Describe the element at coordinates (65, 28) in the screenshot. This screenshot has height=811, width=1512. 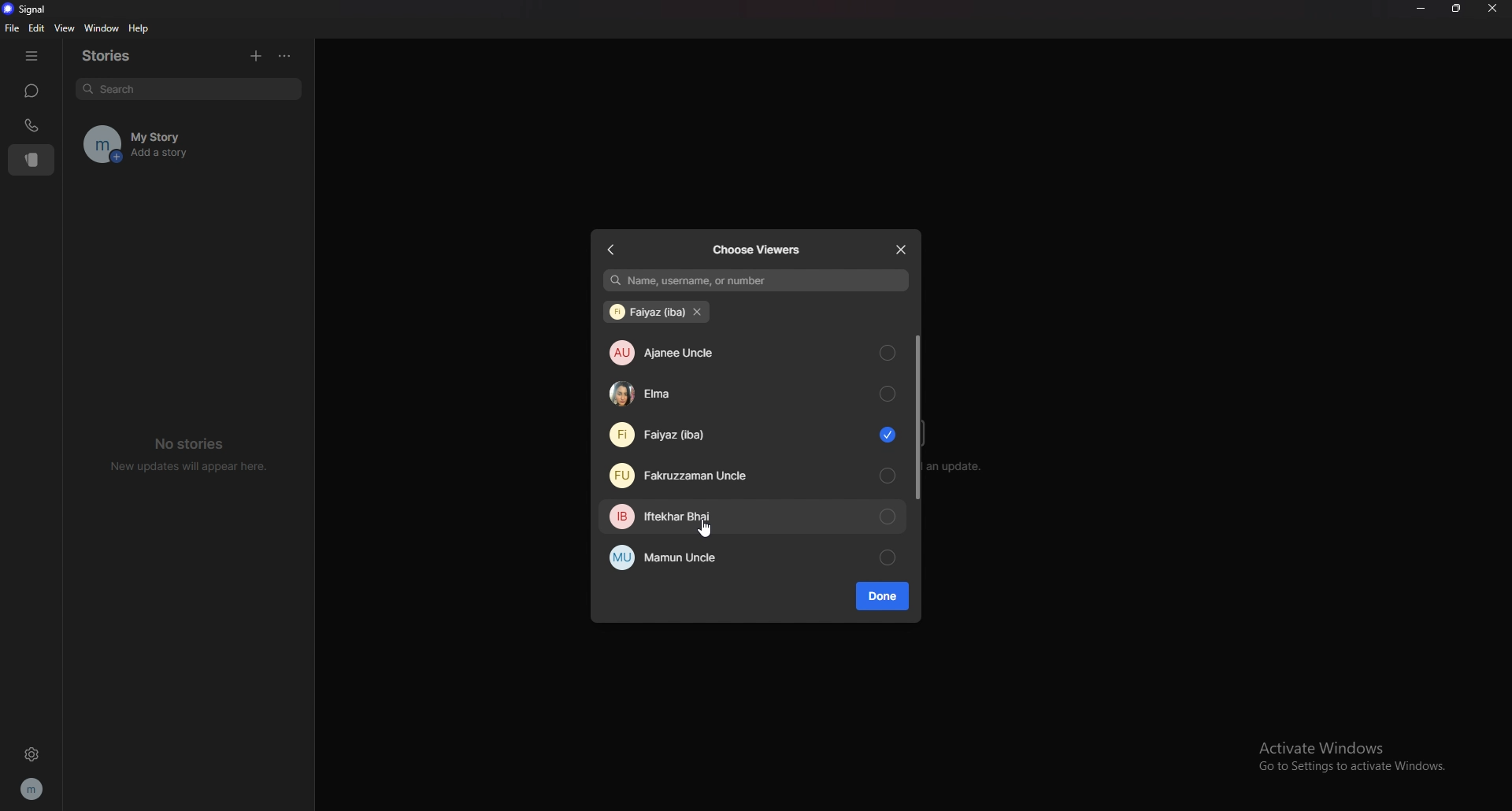
I see `view` at that location.